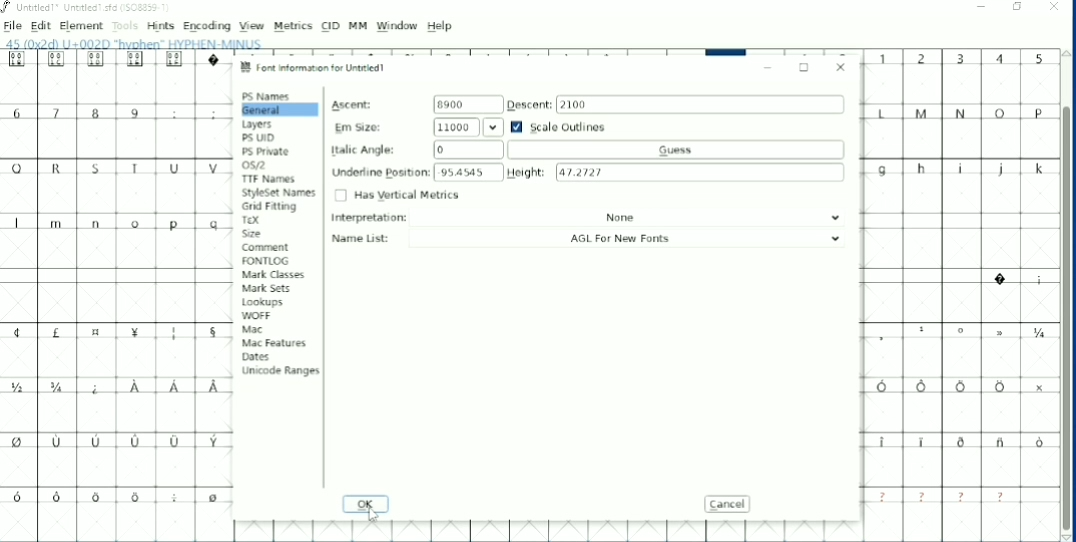 This screenshot has height=542, width=1076. What do you see at coordinates (255, 233) in the screenshot?
I see `Size` at bounding box center [255, 233].